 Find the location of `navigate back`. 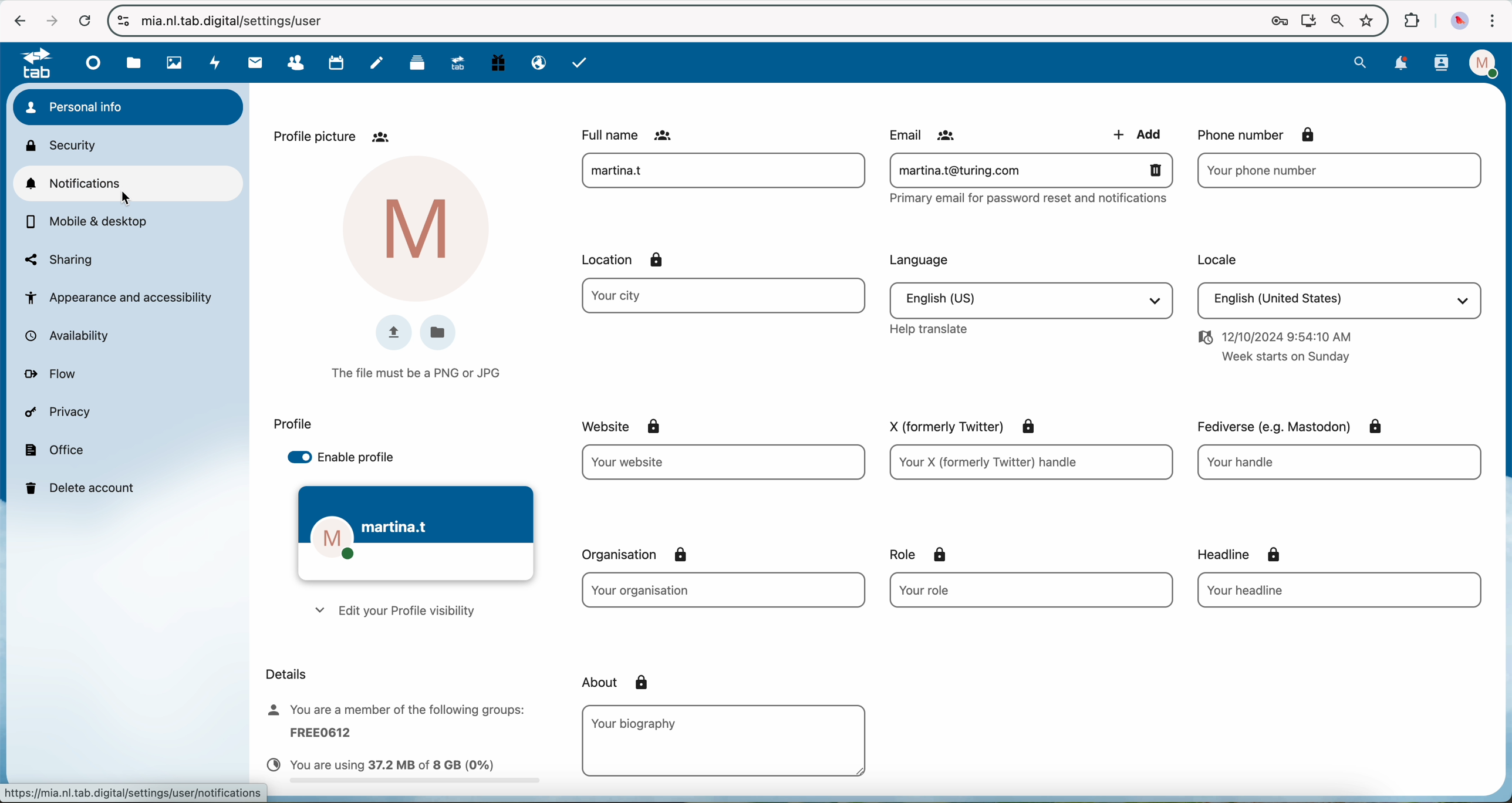

navigate back is located at coordinates (17, 20).